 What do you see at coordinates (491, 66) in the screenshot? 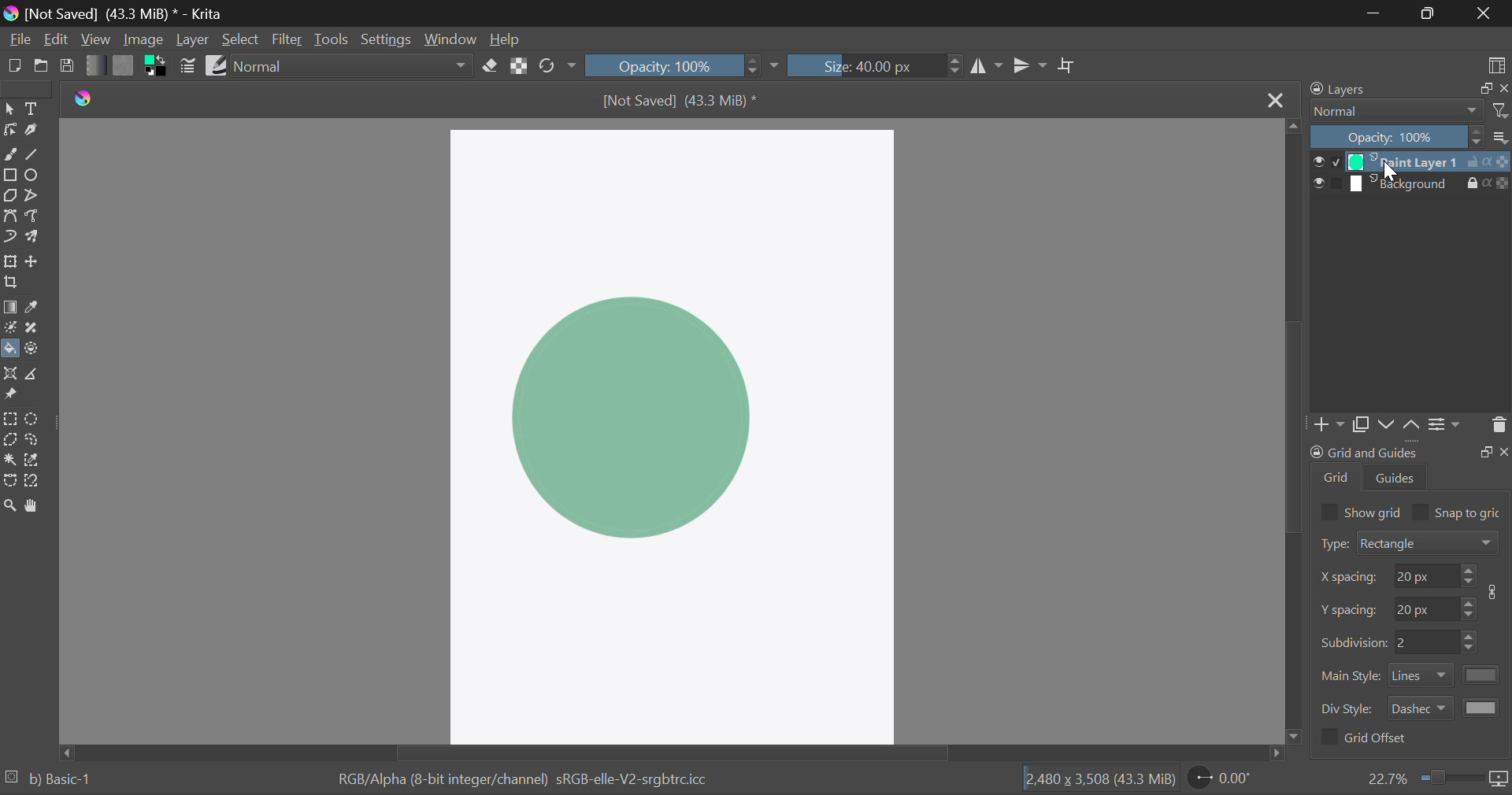
I see `Eraser` at bounding box center [491, 66].